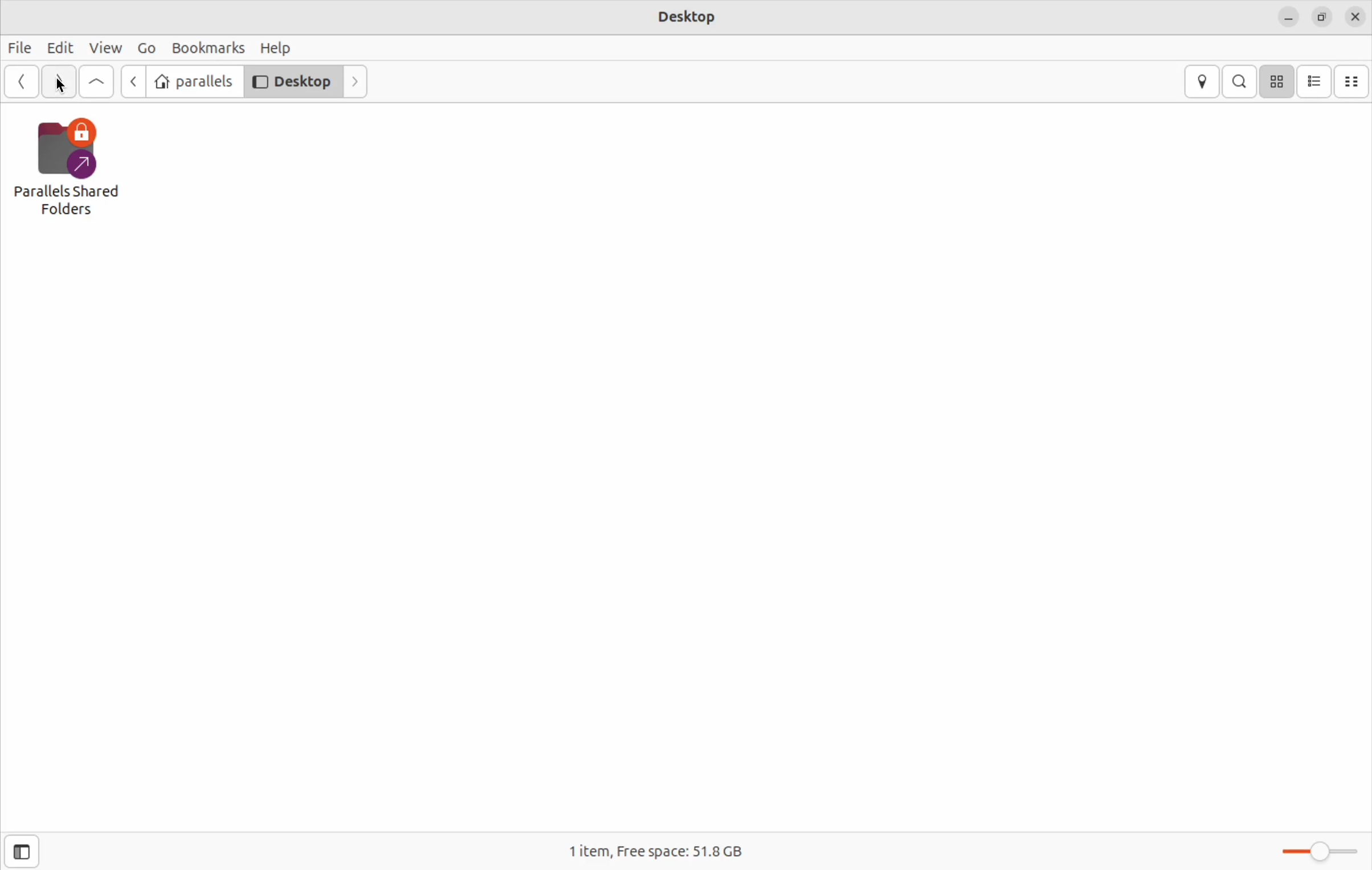  I want to click on toggle zoom, so click(1320, 851).